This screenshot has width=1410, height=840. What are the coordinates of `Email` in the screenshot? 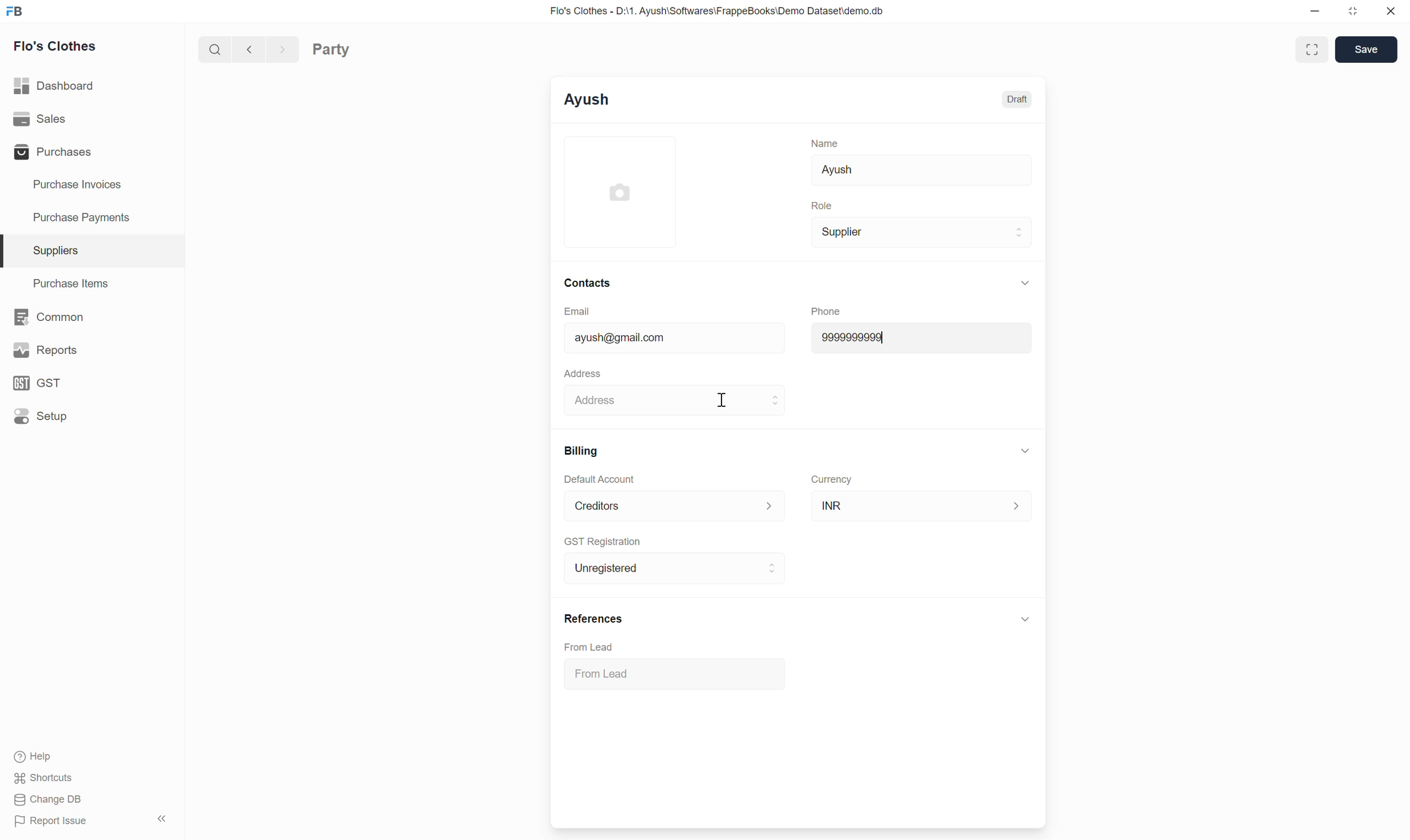 It's located at (577, 311).